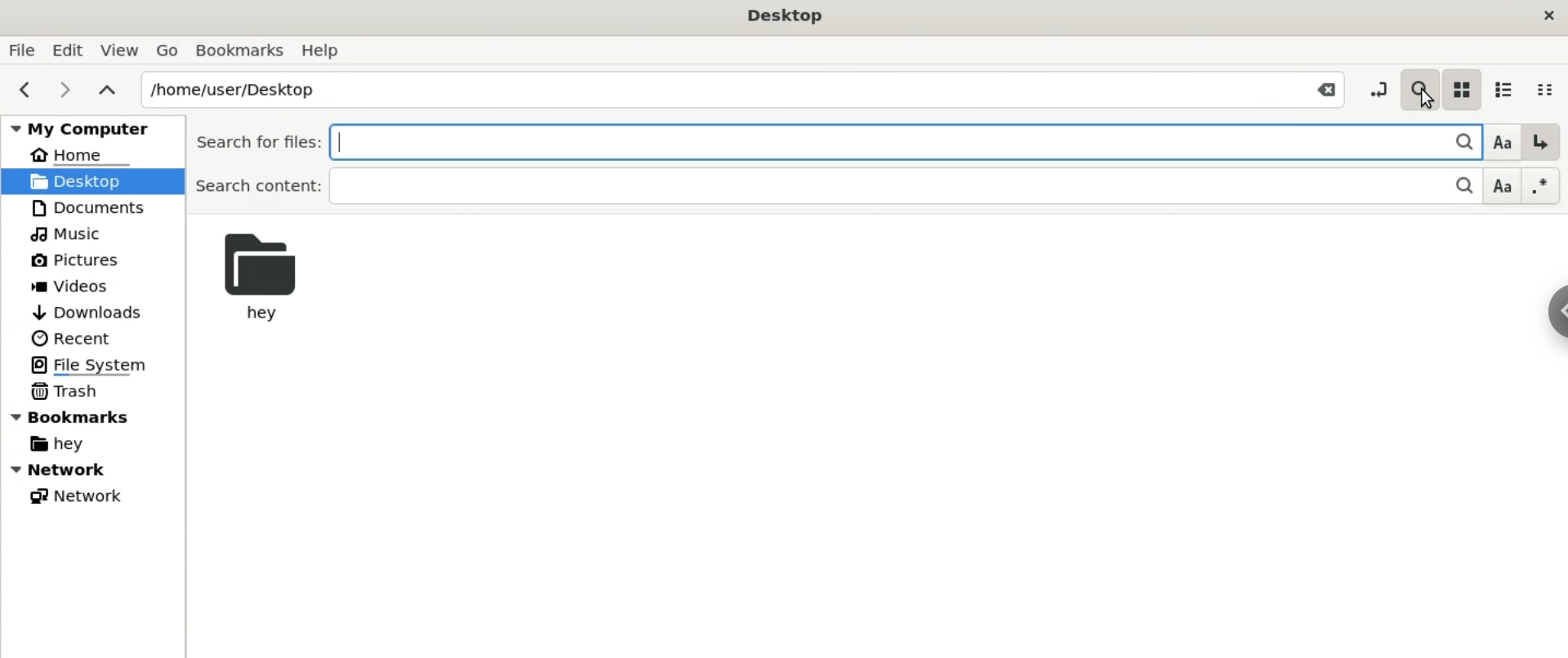 The width and height of the screenshot is (1568, 658). Describe the element at coordinates (91, 313) in the screenshot. I see `Downloads` at that location.